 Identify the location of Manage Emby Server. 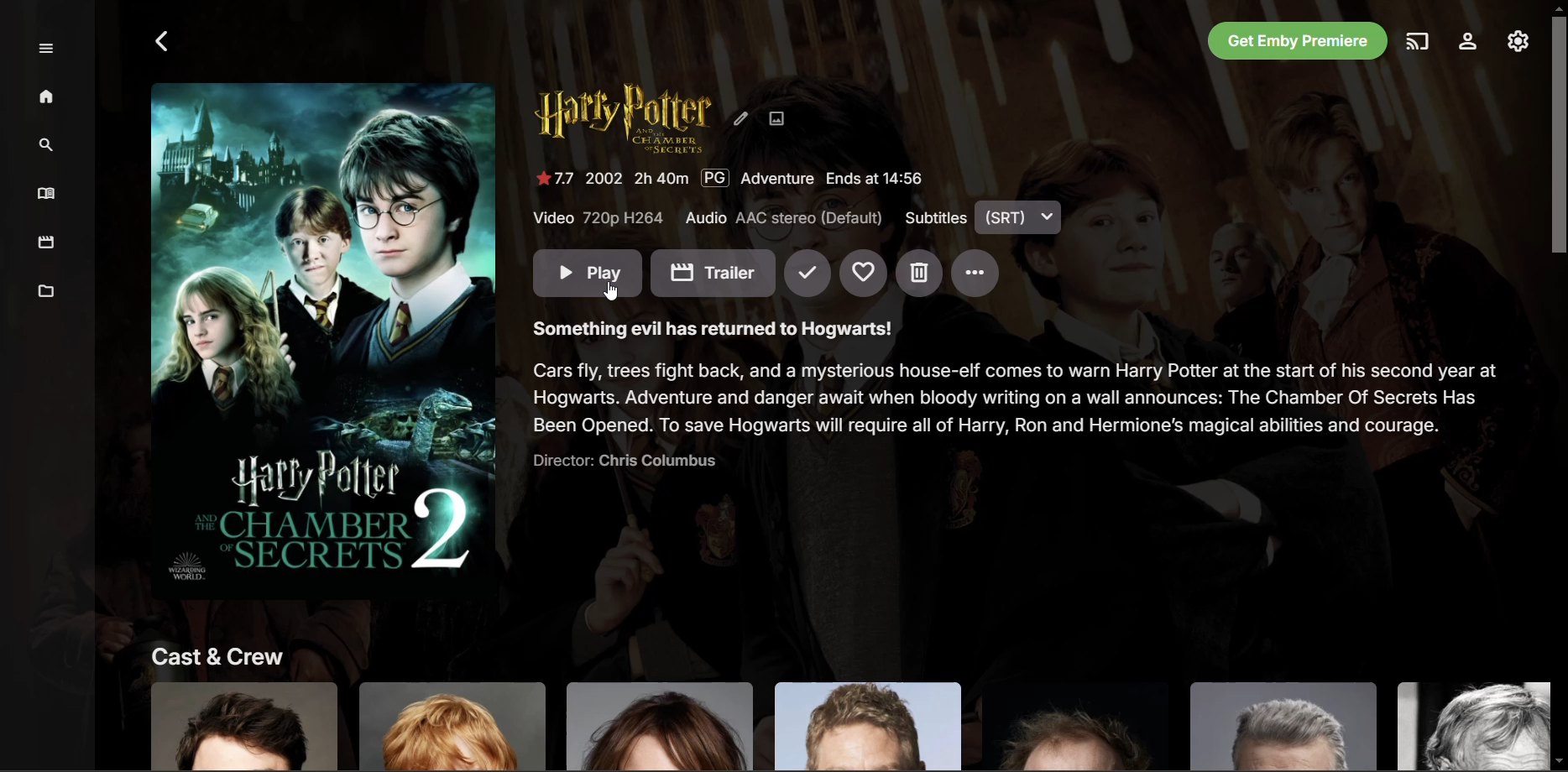
(1516, 44).